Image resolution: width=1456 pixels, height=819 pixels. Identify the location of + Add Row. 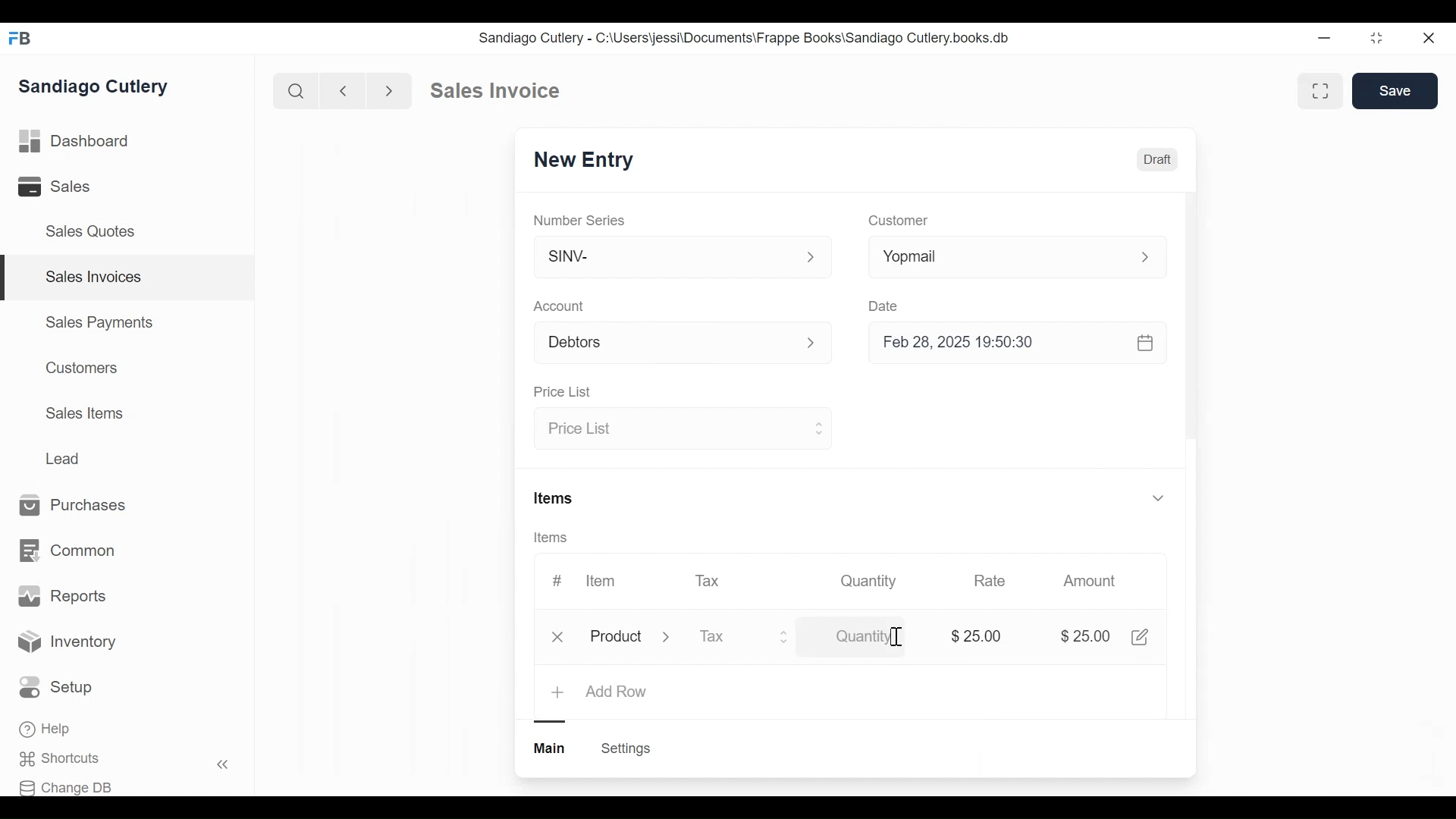
(601, 693).